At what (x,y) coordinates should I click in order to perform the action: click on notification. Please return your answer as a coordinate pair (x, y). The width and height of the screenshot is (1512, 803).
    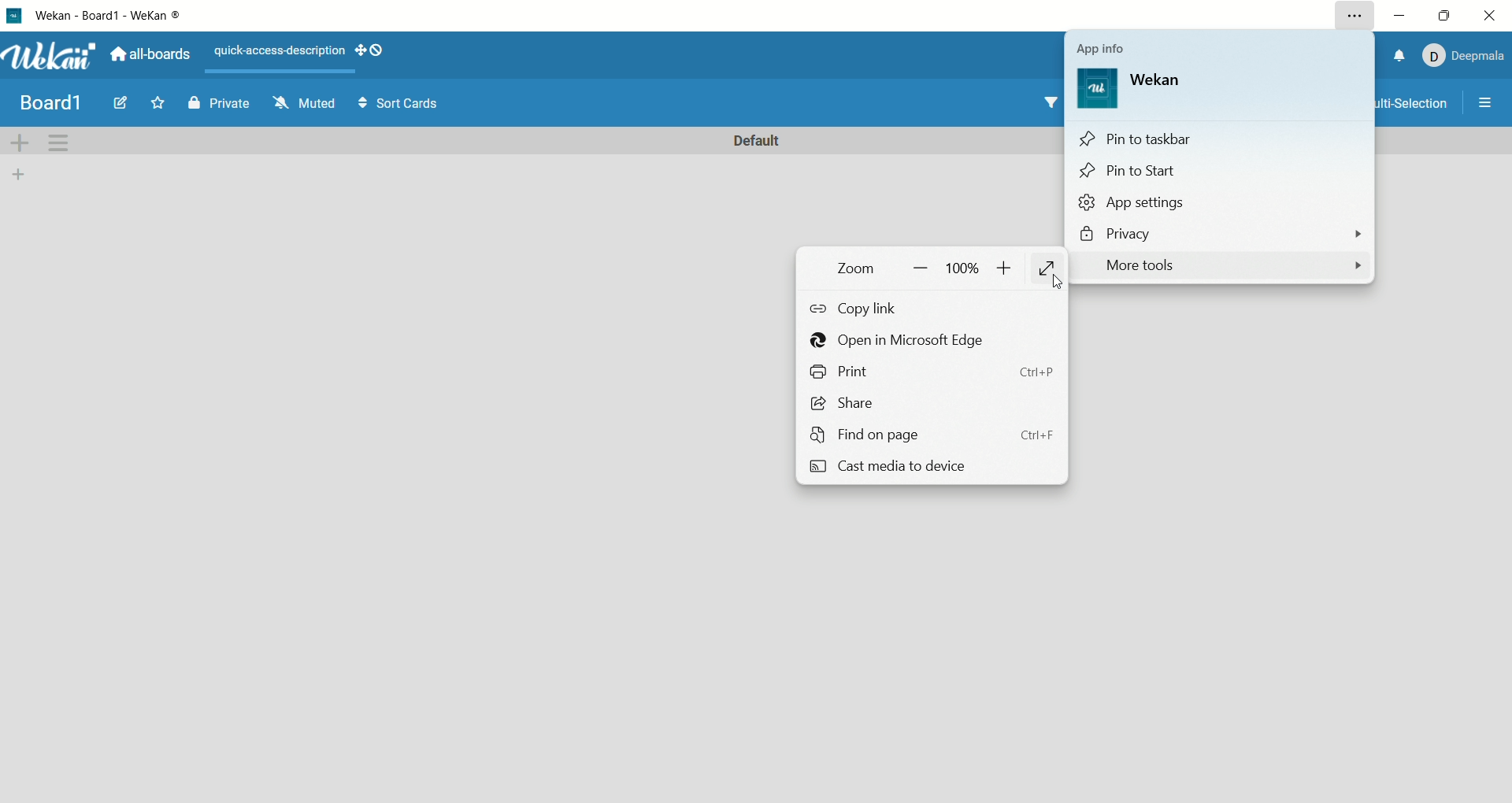
    Looking at the image, I should click on (1400, 56).